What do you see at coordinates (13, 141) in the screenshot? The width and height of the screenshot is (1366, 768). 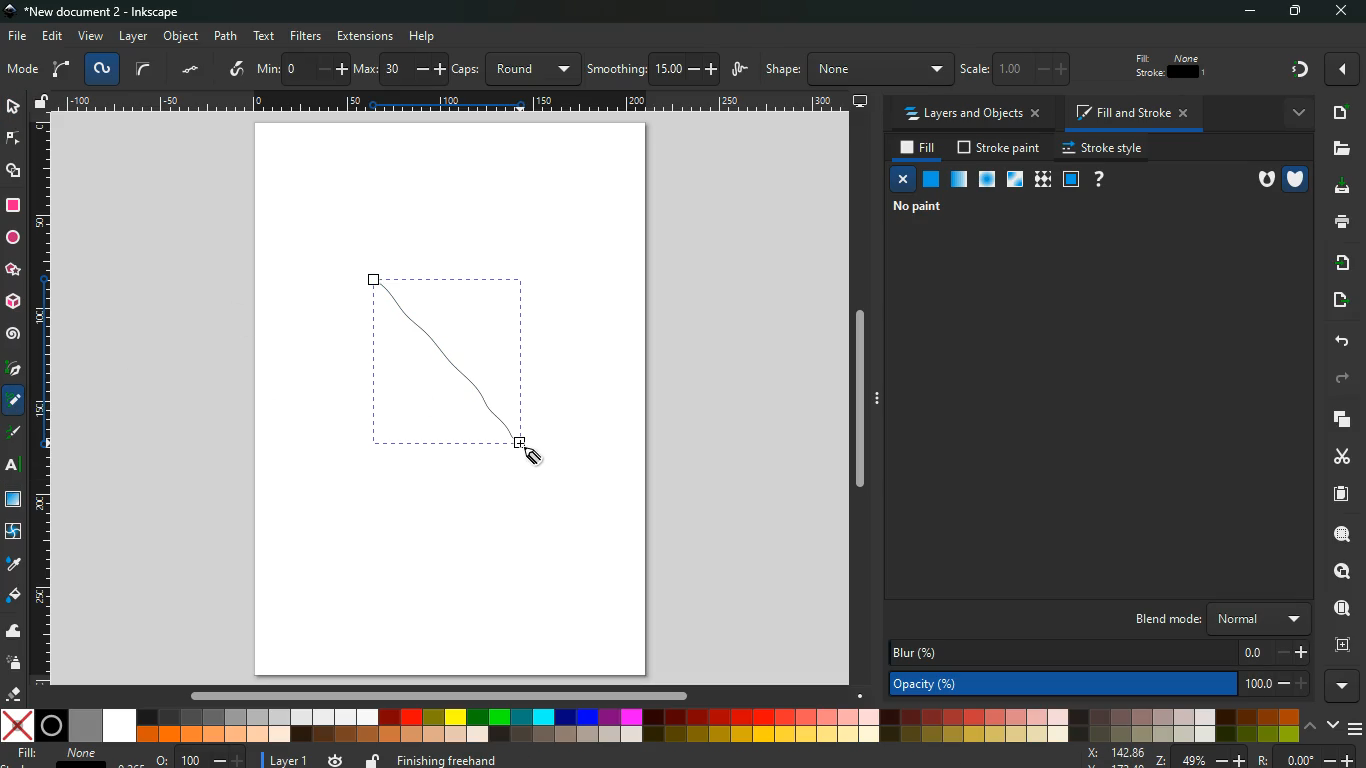 I see `edge` at bounding box center [13, 141].